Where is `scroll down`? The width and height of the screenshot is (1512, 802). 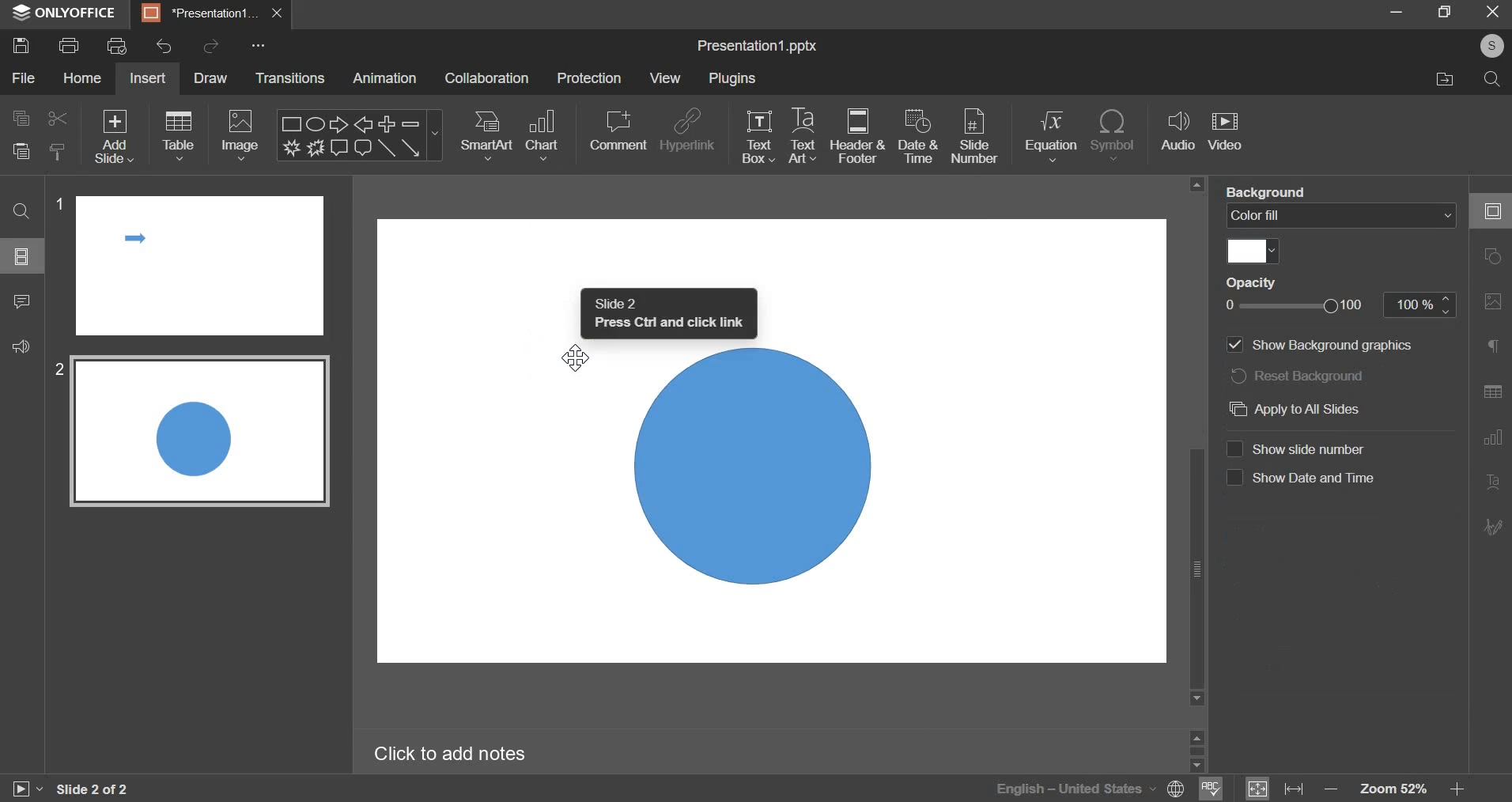
scroll down is located at coordinates (1199, 766).